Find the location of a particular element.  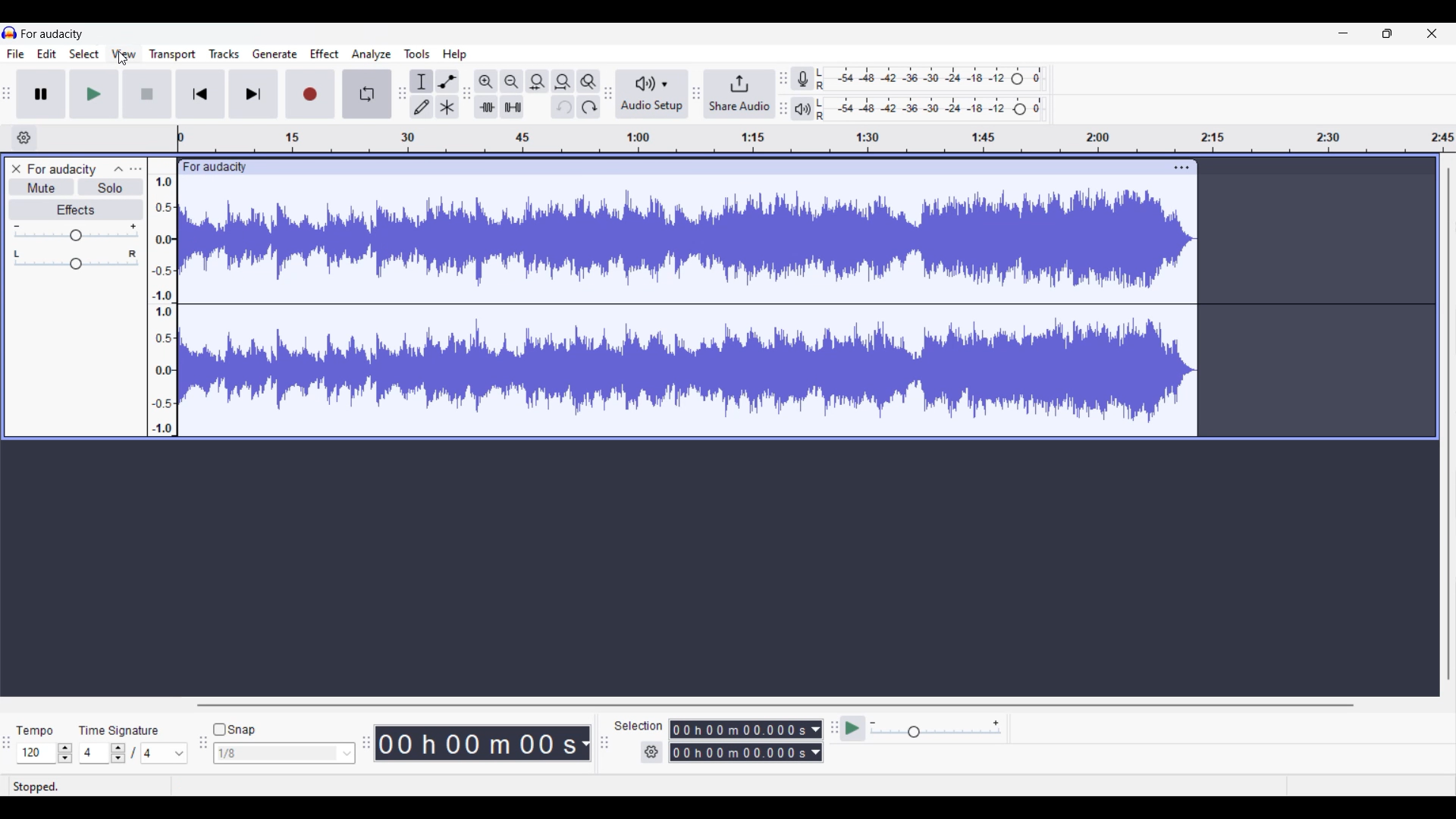

Tools is located at coordinates (416, 54).